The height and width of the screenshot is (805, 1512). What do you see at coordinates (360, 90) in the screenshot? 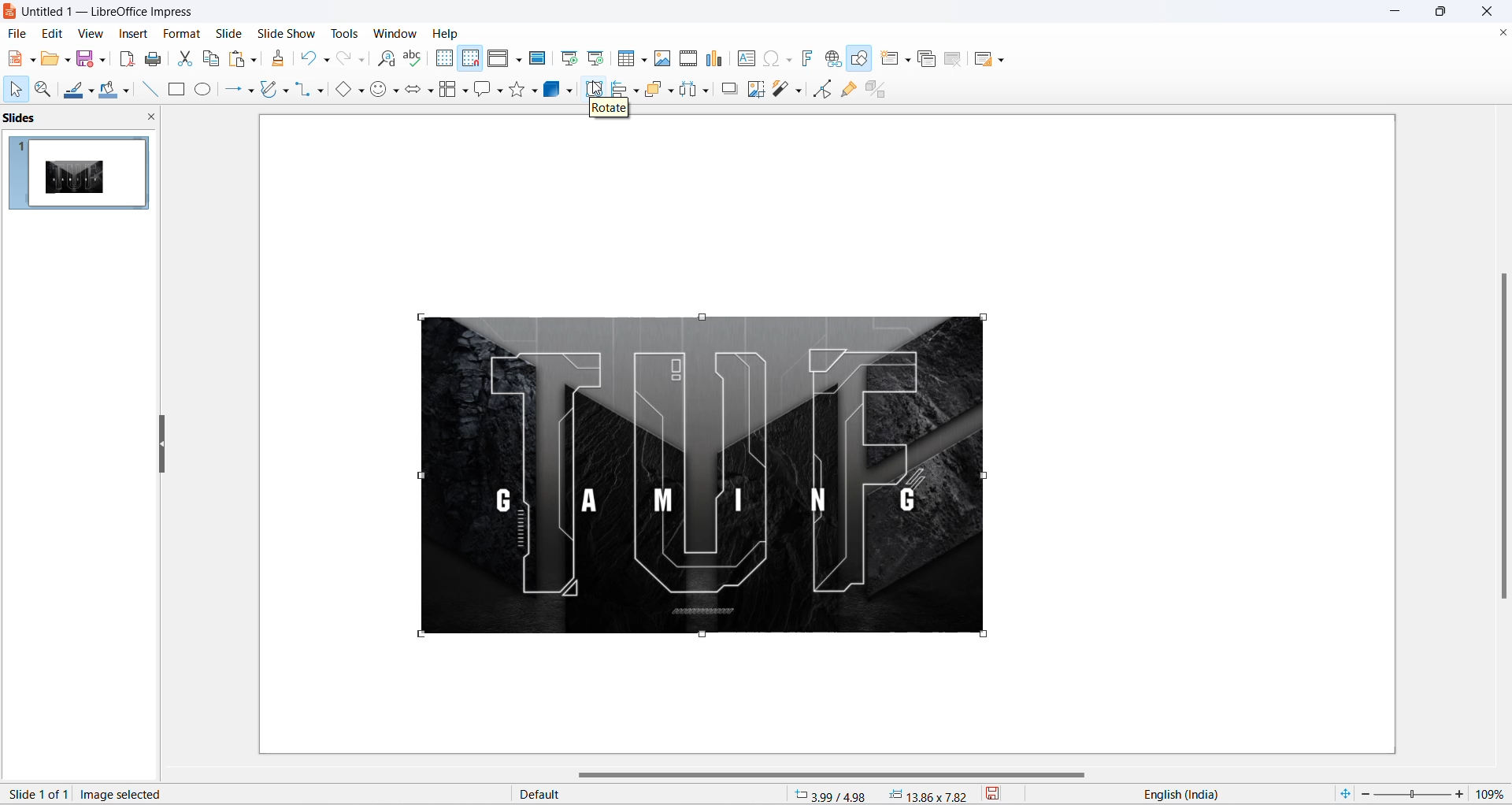
I see `basic shapes options` at bounding box center [360, 90].